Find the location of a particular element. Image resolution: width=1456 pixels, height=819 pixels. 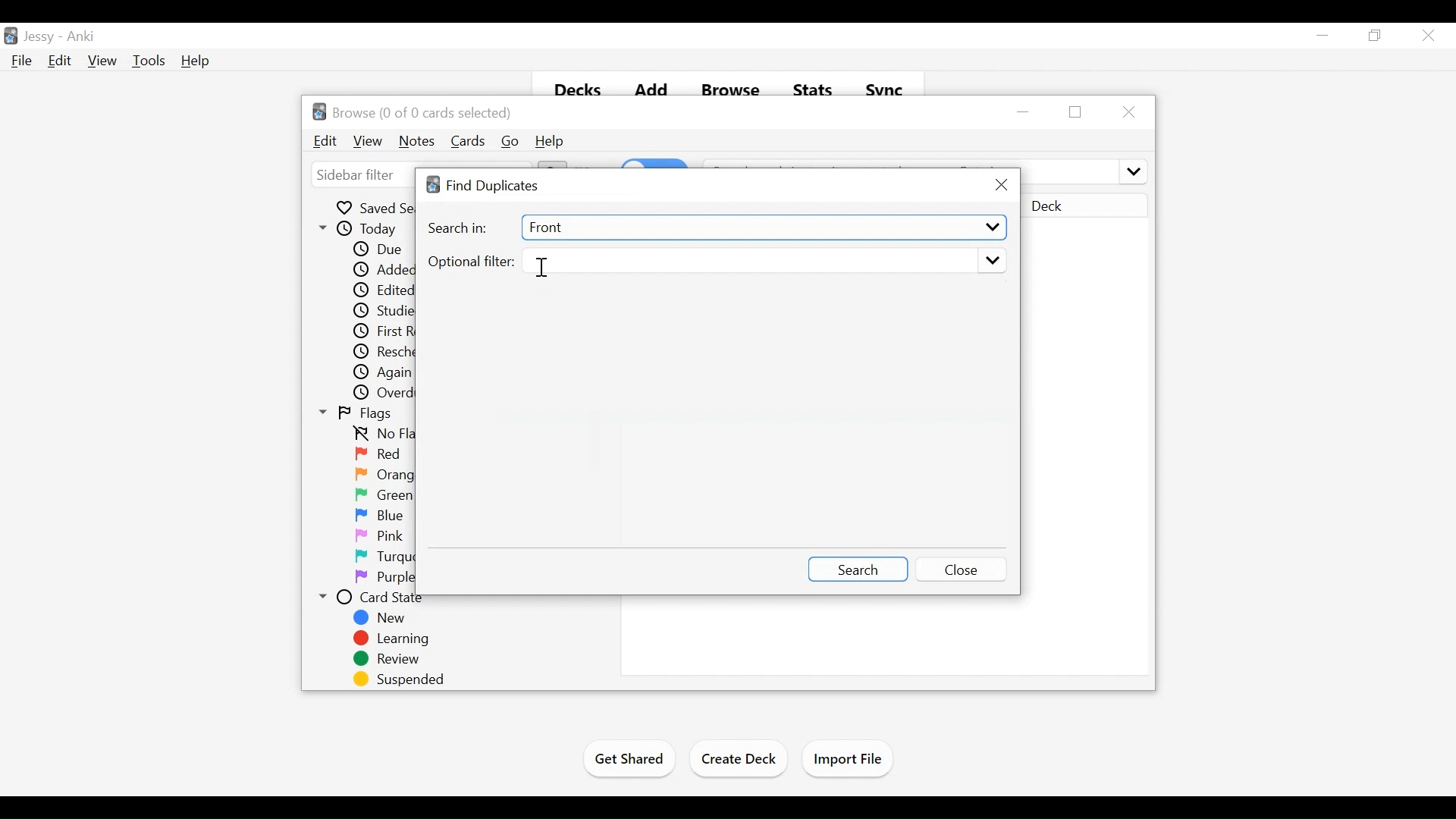

Optional Filter is located at coordinates (470, 262).